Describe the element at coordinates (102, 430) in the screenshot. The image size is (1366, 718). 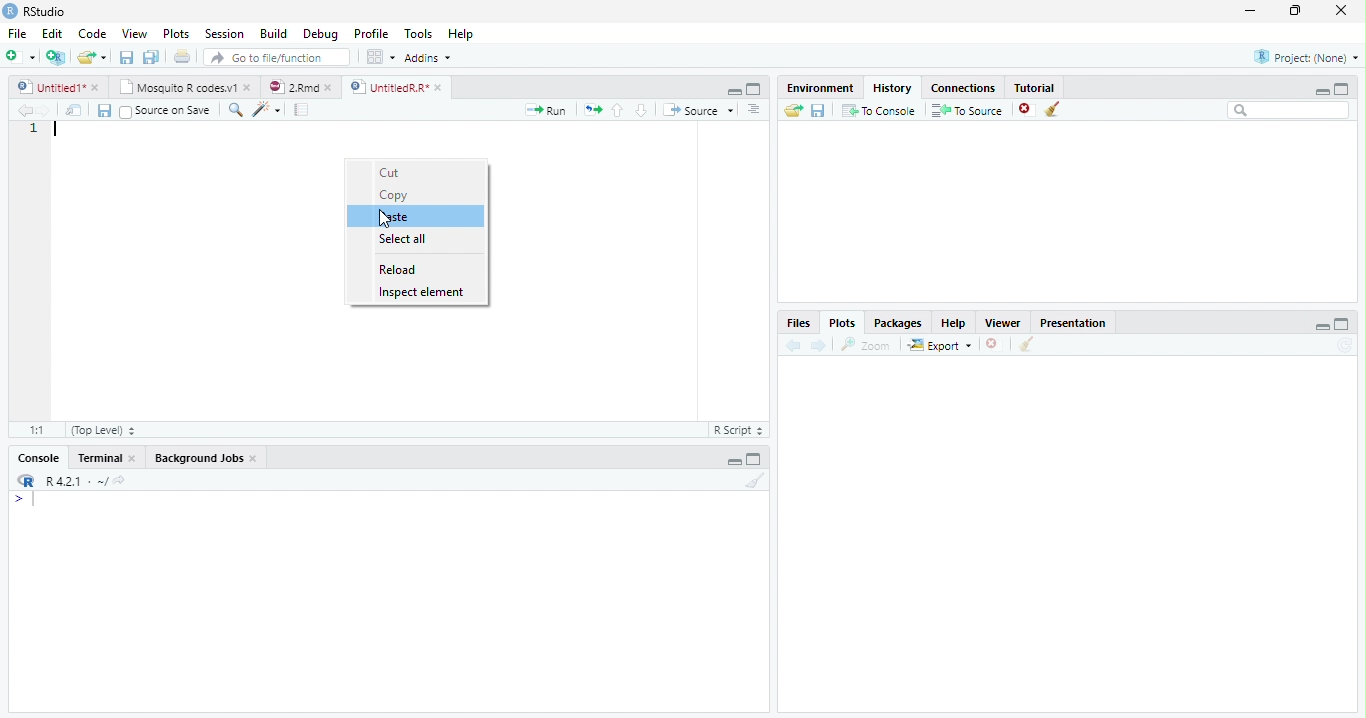
I see `Top level` at that location.